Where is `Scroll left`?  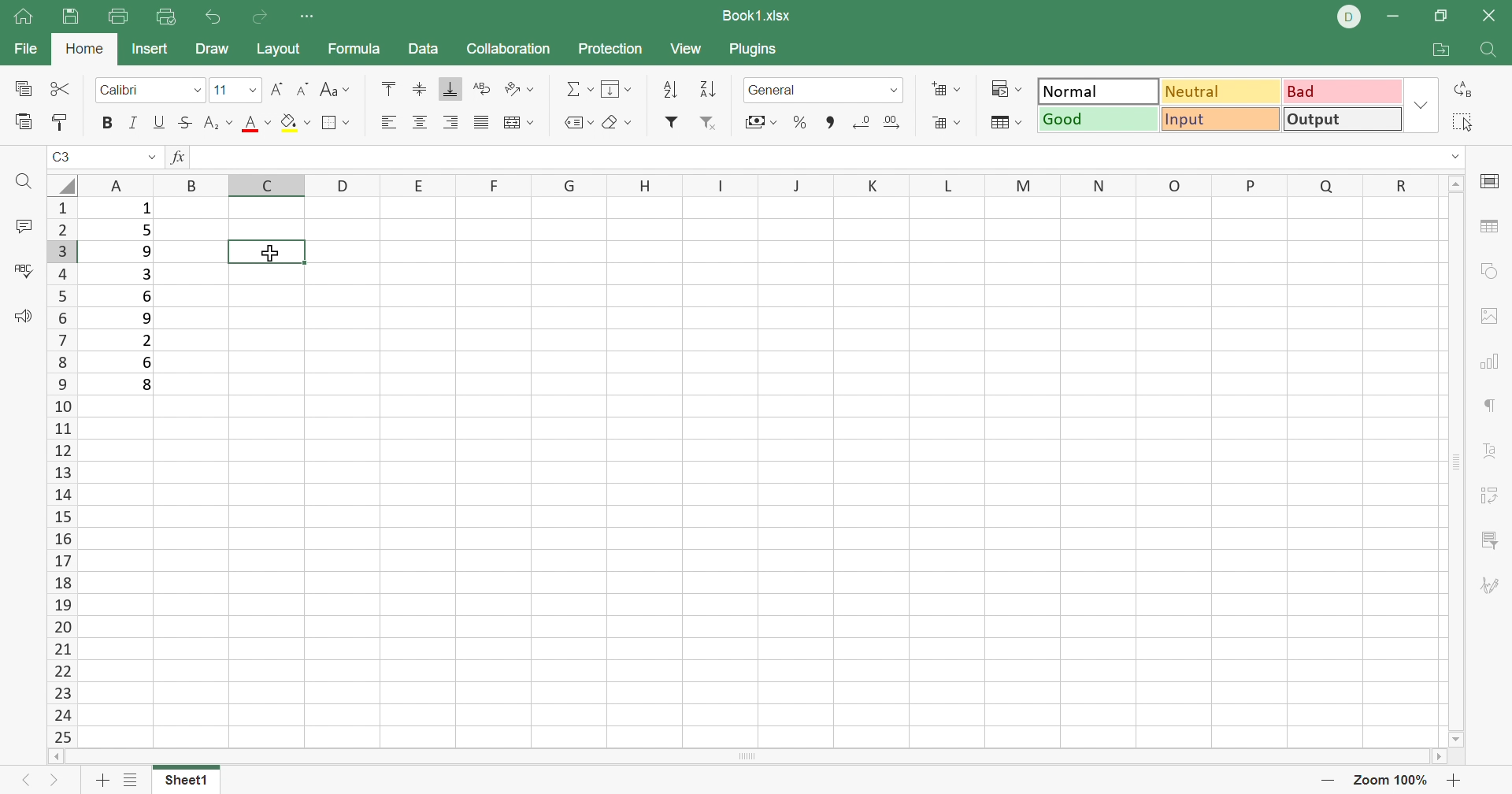
Scroll left is located at coordinates (54, 755).